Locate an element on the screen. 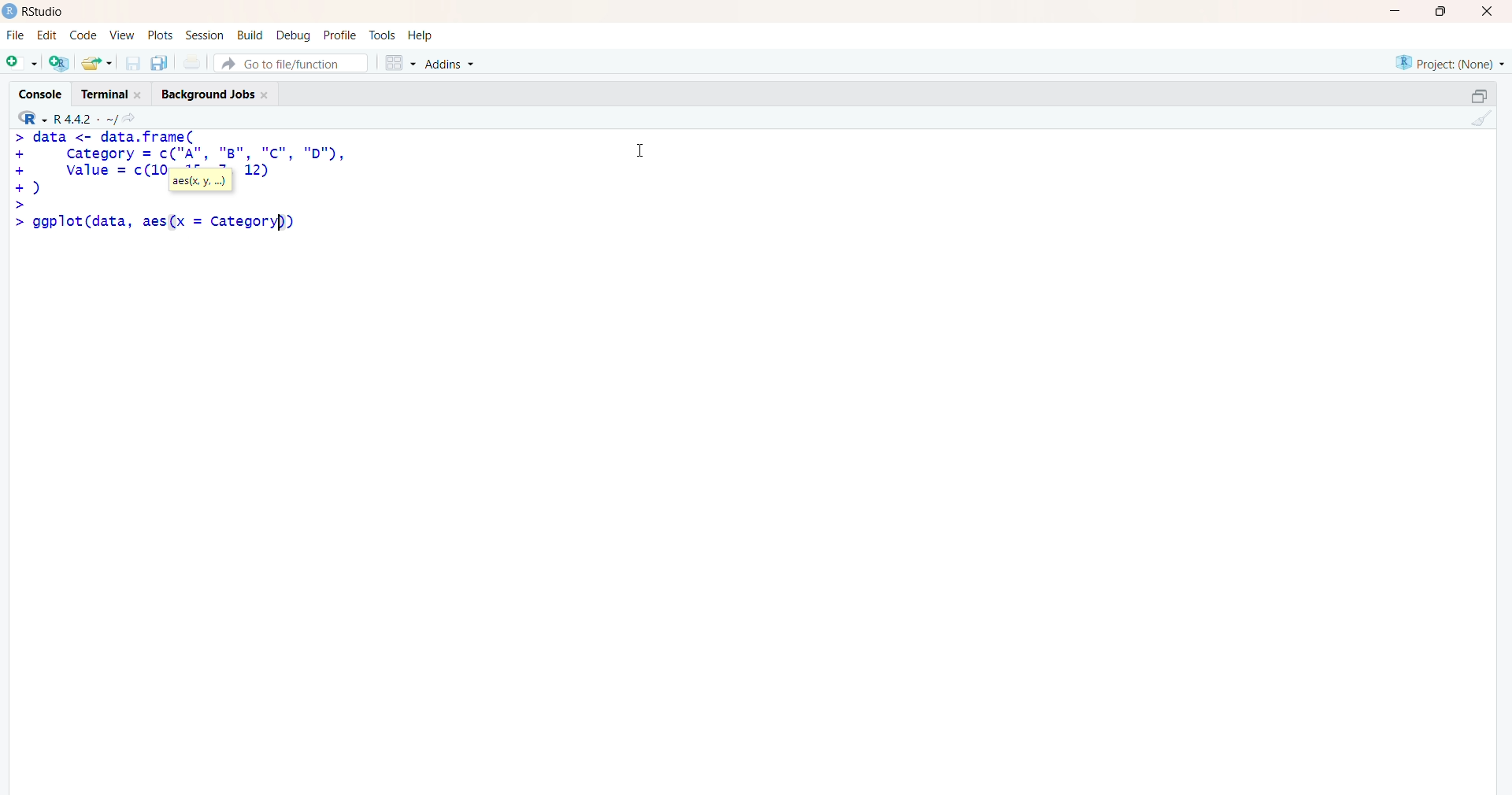 This screenshot has width=1512, height=795. logo is located at coordinates (10, 11).